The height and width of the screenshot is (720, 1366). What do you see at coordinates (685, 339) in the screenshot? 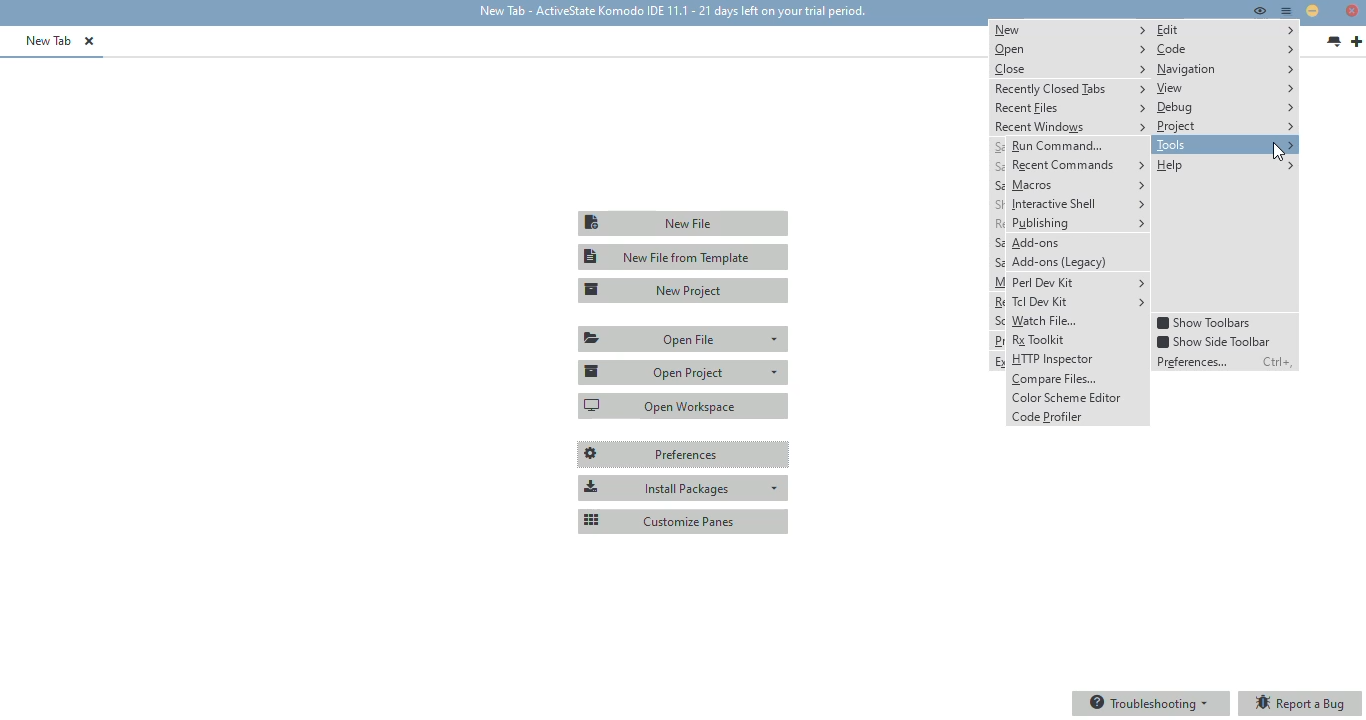
I see `open file` at bounding box center [685, 339].